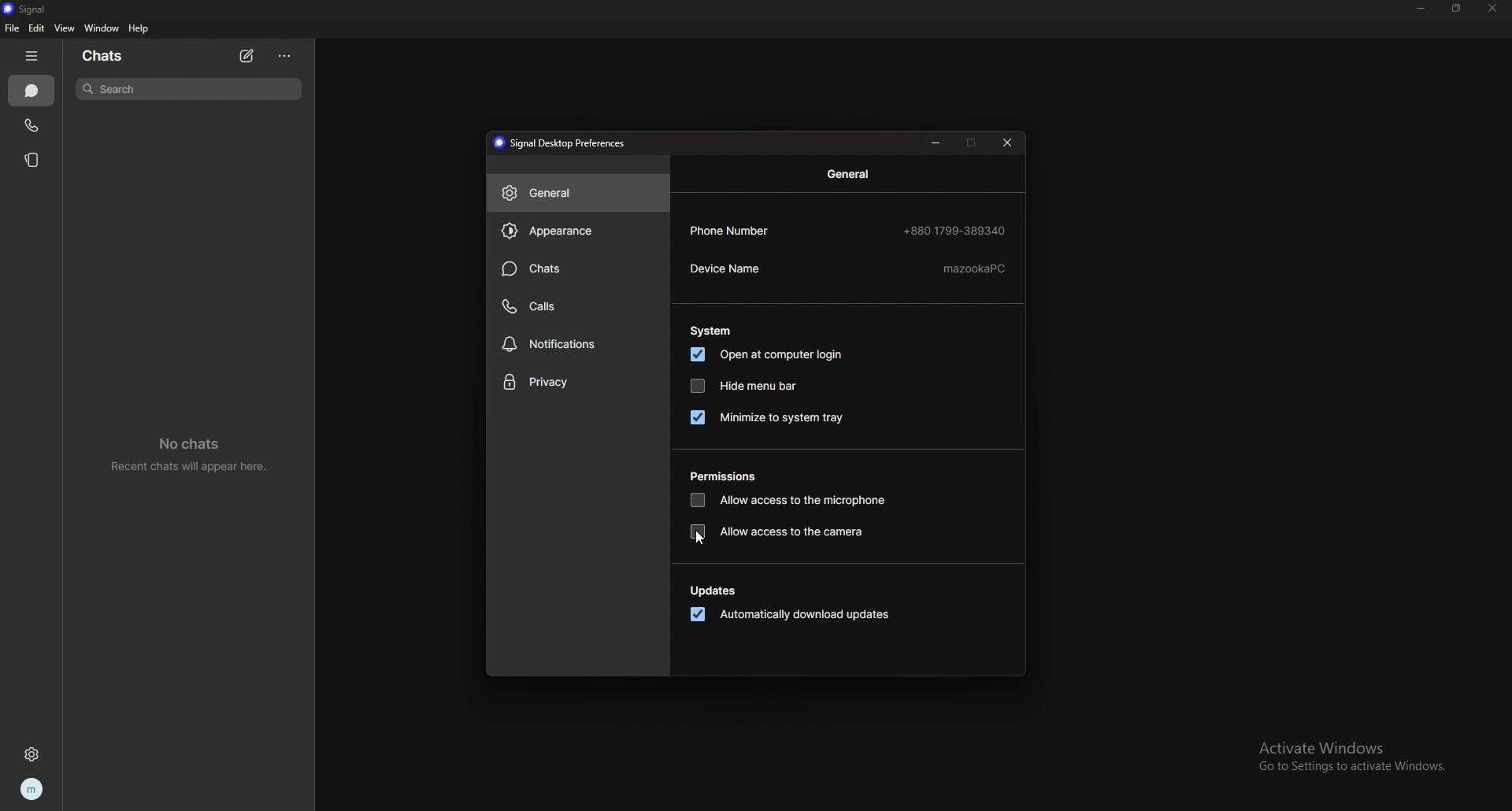 The width and height of the screenshot is (1512, 811). I want to click on minimize, so click(1422, 8).